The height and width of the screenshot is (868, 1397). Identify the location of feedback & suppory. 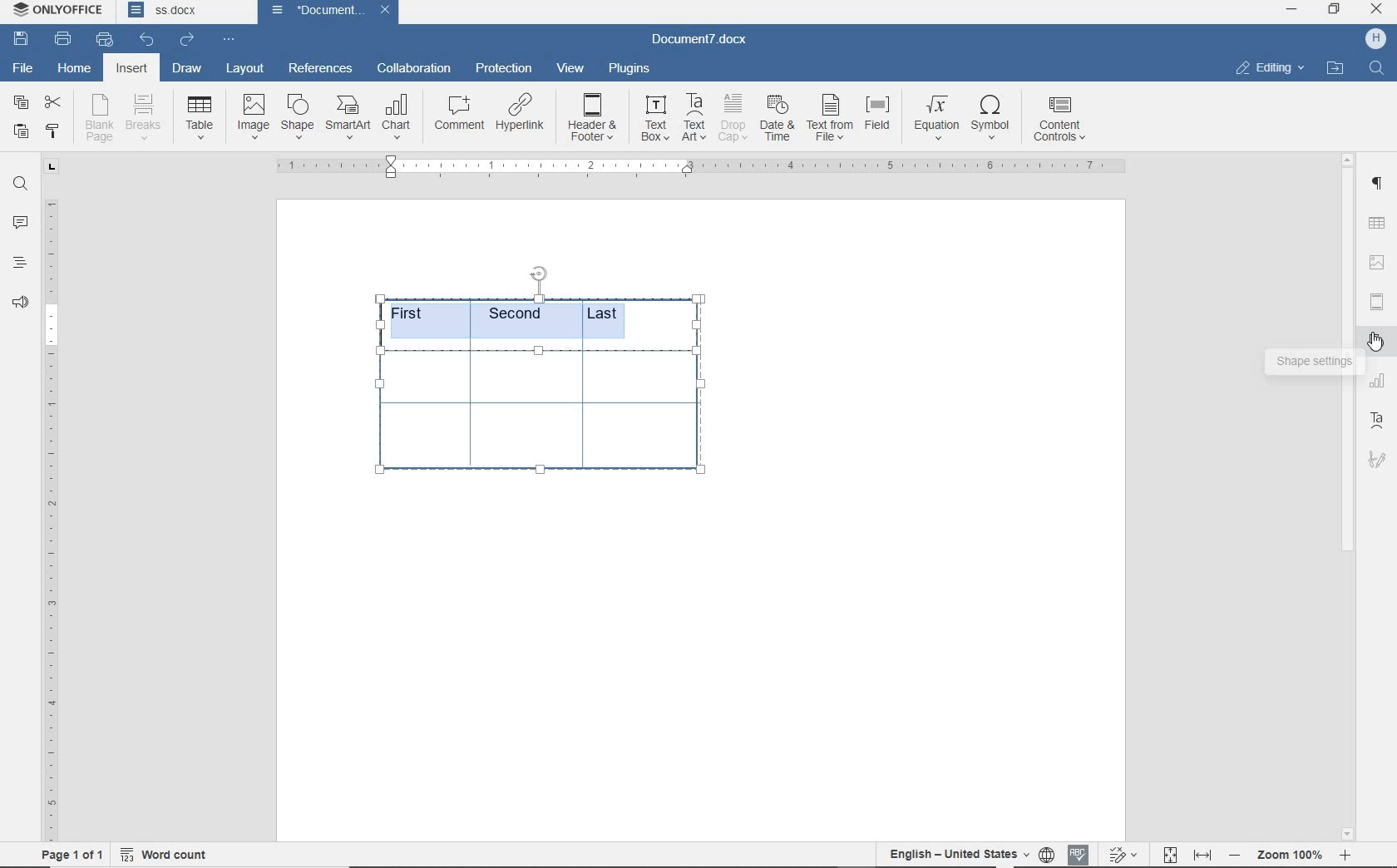
(21, 305).